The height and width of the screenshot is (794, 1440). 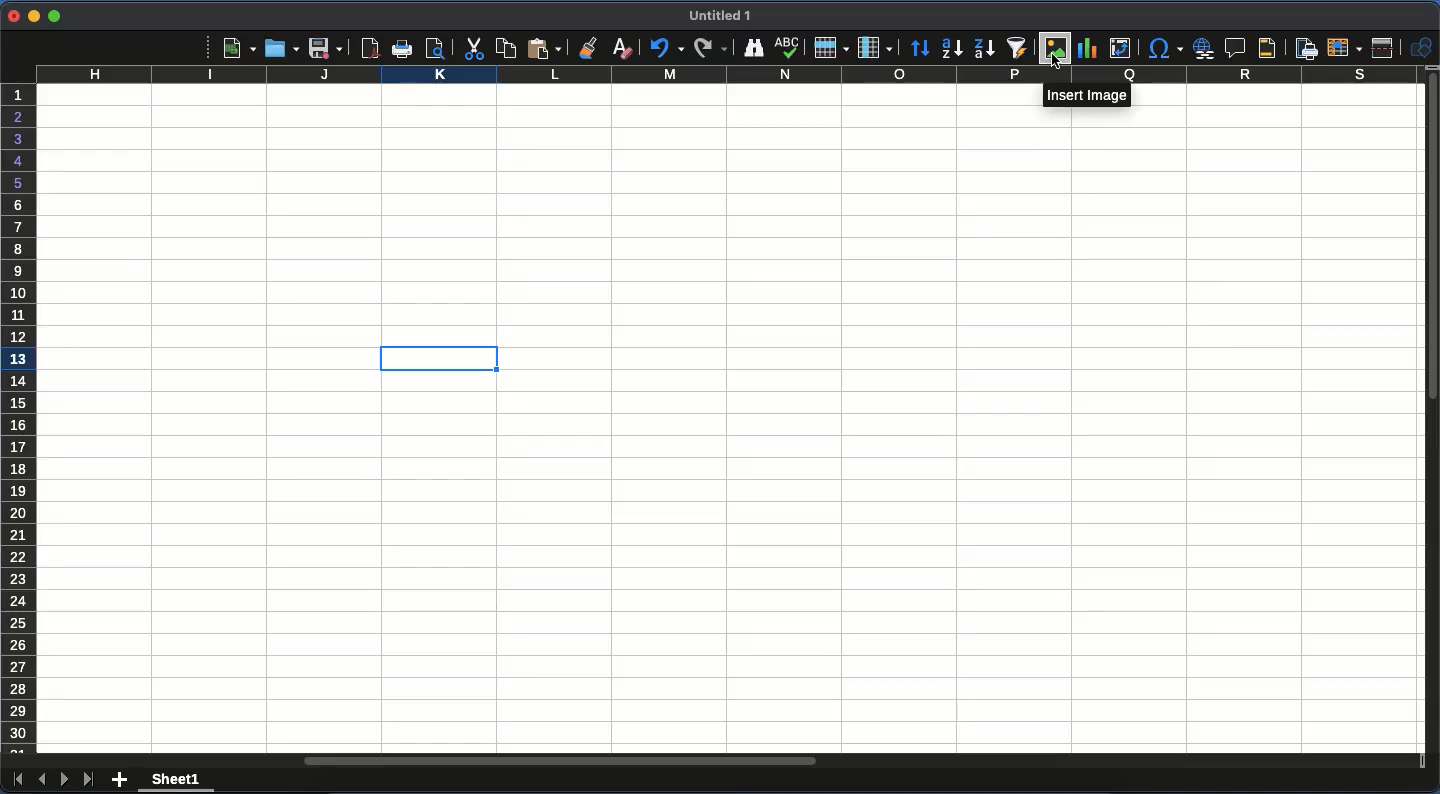 I want to click on image, so click(x=1057, y=48).